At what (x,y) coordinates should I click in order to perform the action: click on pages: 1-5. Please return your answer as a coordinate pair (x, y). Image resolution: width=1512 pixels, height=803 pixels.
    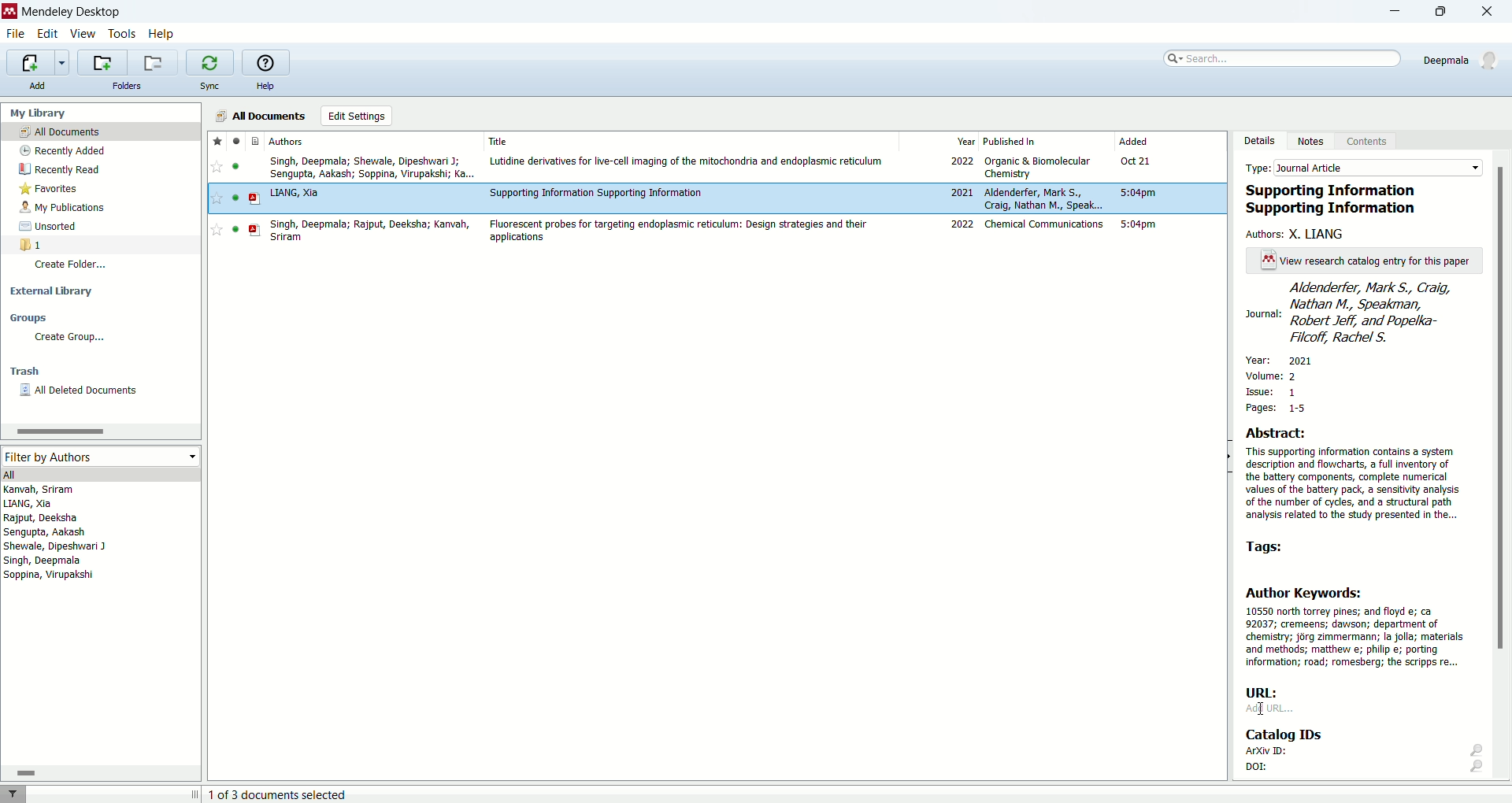
    Looking at the image, I should click on (1272, 408).